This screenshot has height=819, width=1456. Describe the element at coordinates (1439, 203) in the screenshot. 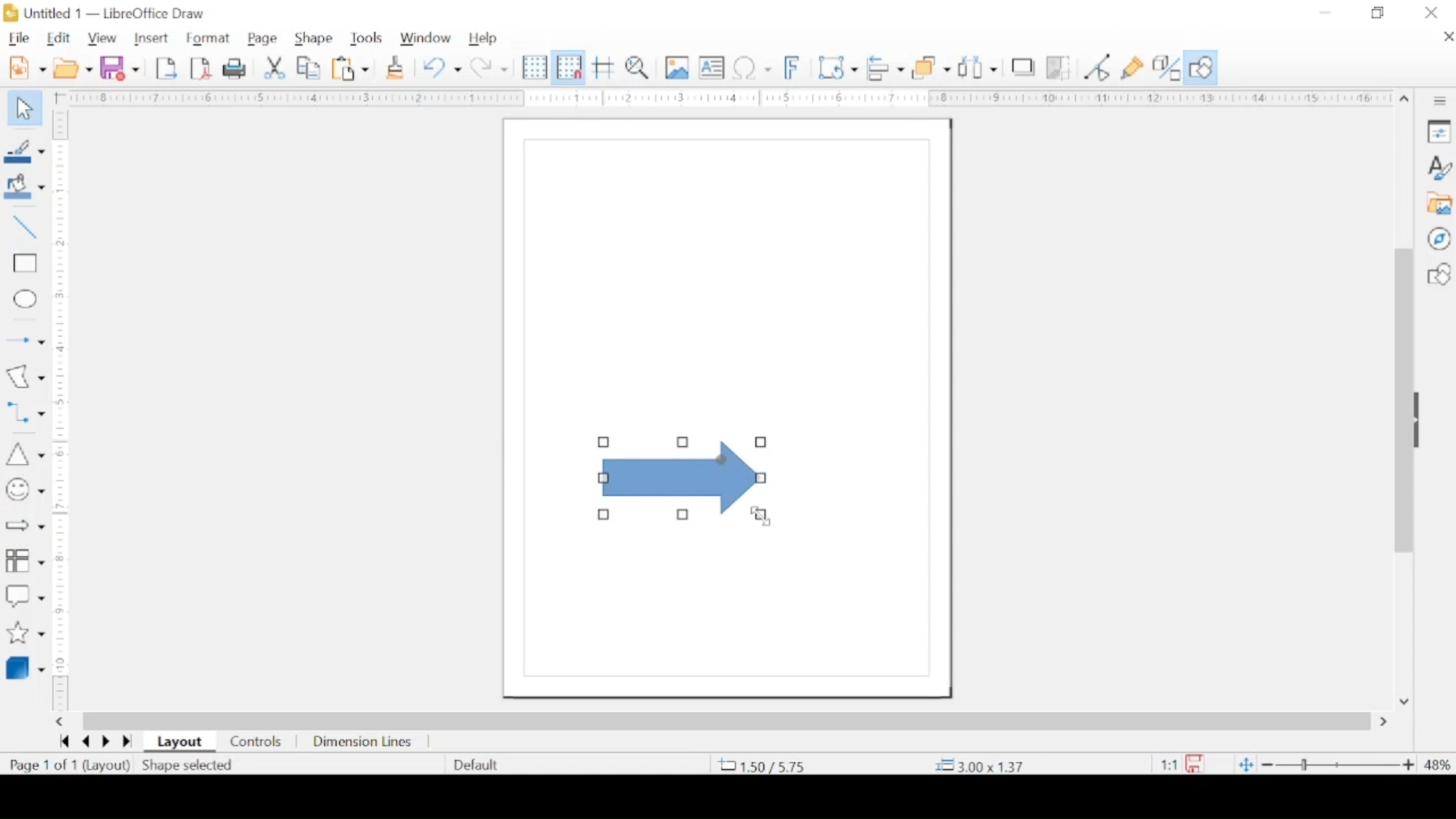

I see `gallery` at that location.